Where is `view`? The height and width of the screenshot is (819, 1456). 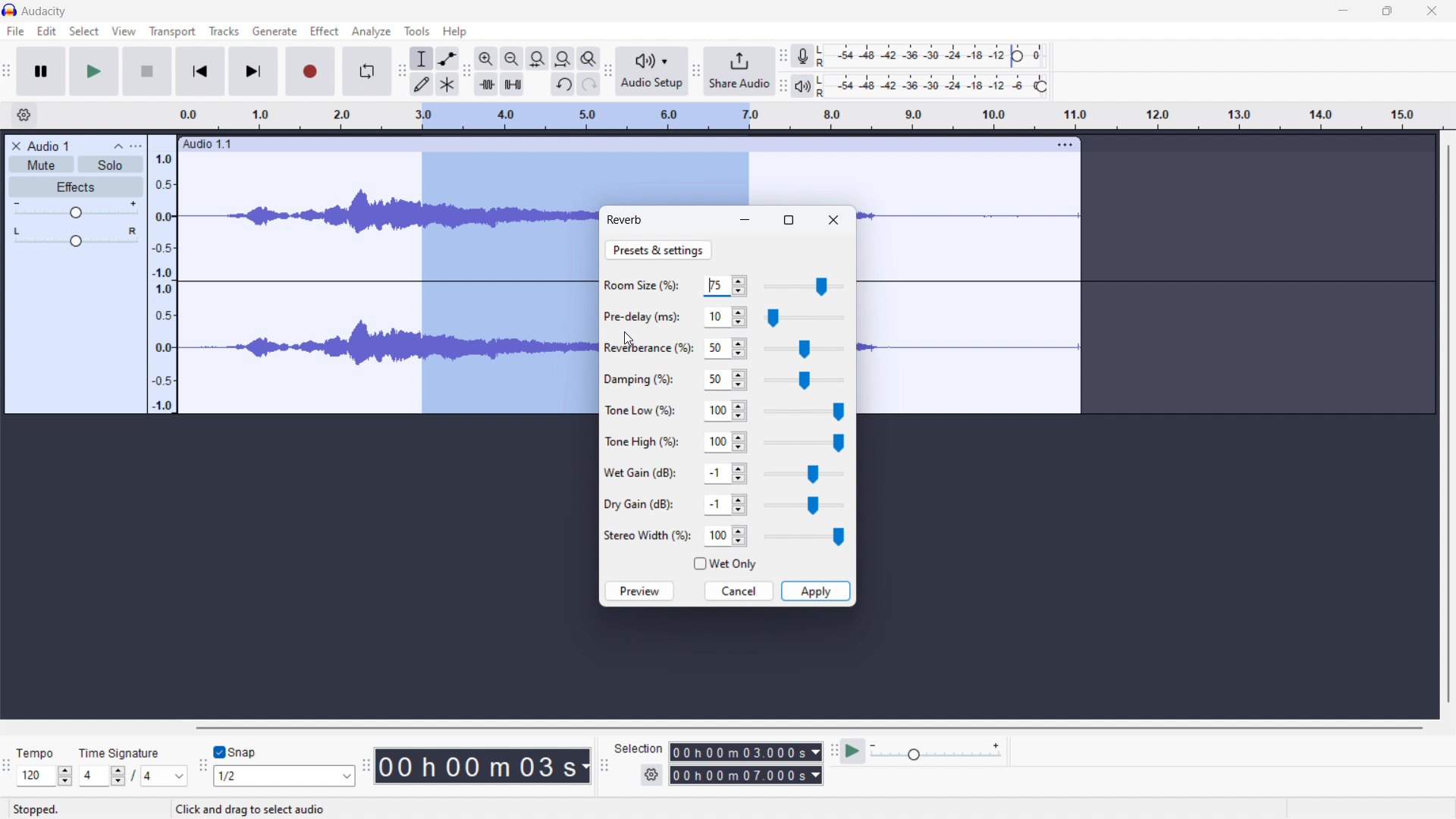 view is located at coordinates (124, 31).